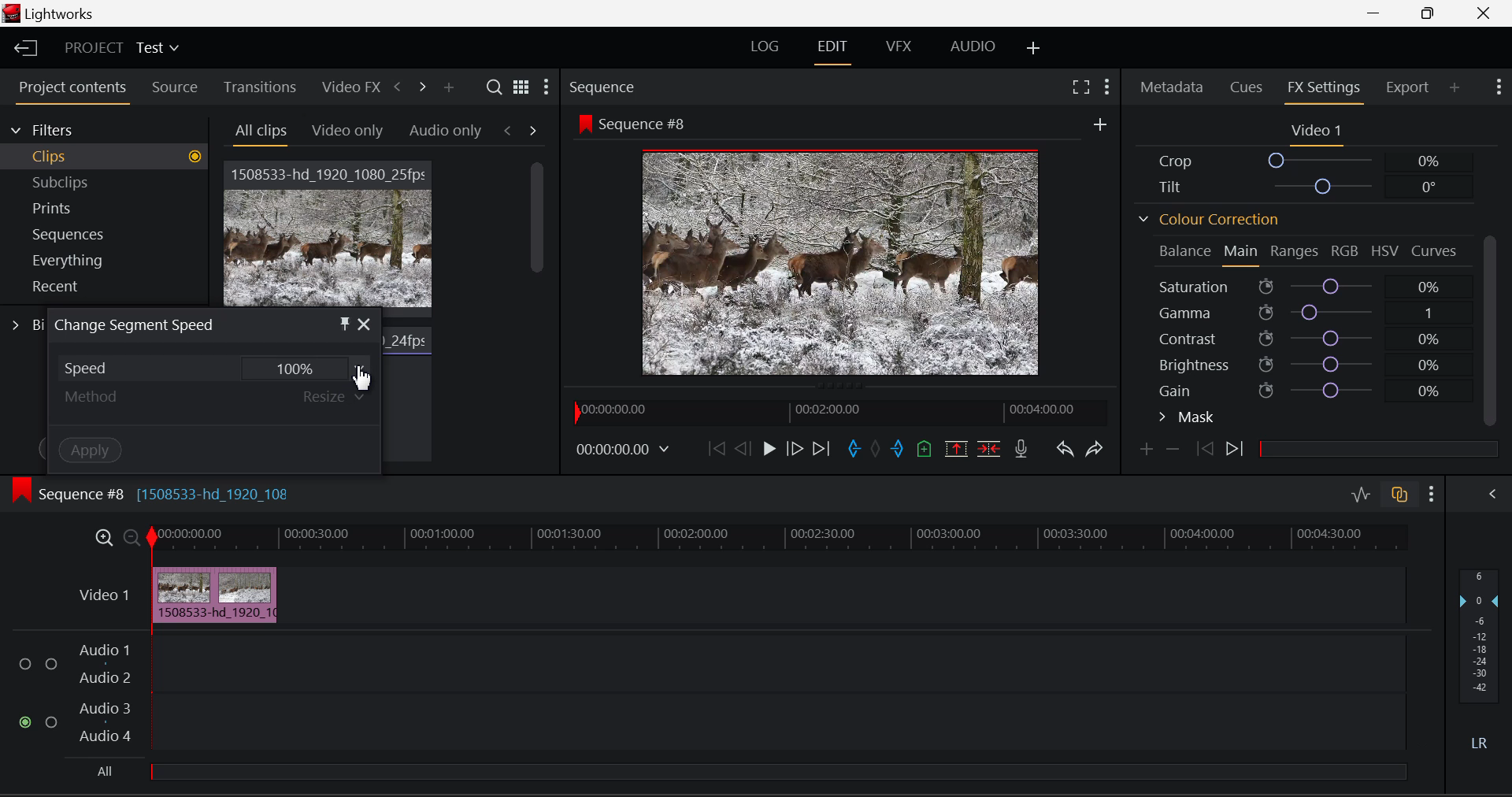 The height and width of the screenshot is (797, 1512). What do you see at coordinates (98, 597) in the screenshot?
I see `Video Timeline` at bounding box center [98, 597].